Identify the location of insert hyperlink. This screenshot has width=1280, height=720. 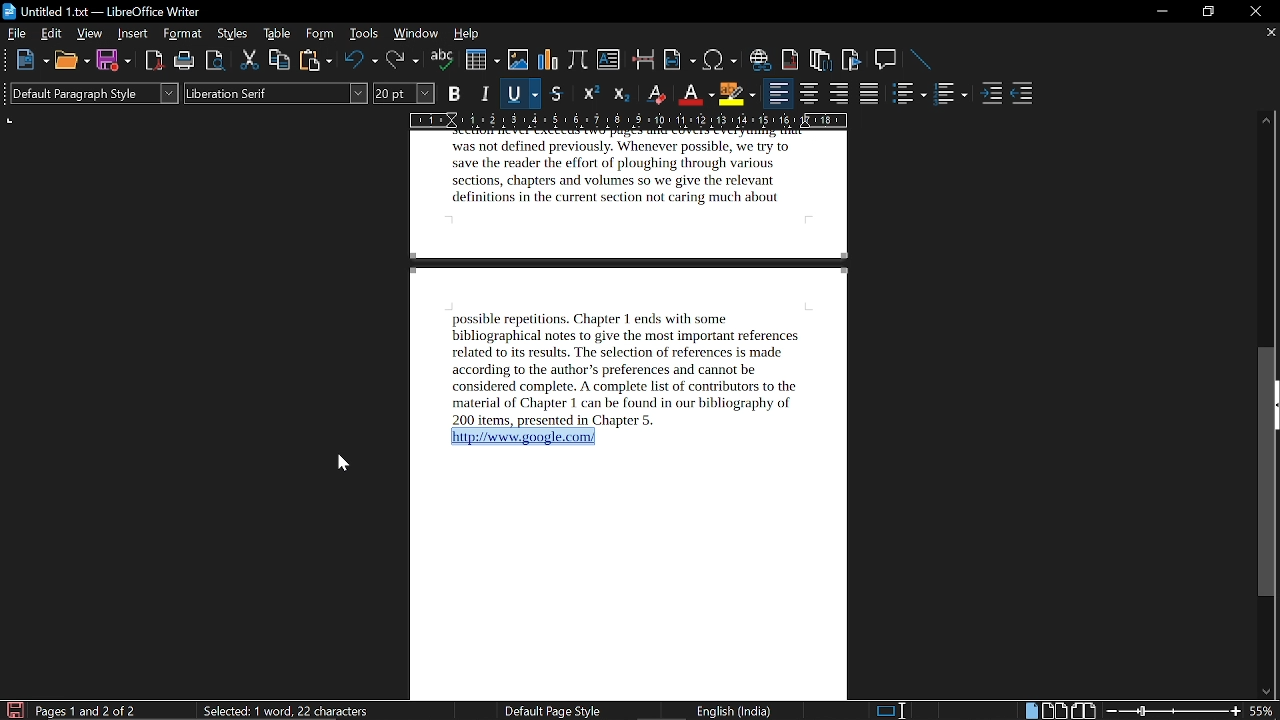
(762, 61).